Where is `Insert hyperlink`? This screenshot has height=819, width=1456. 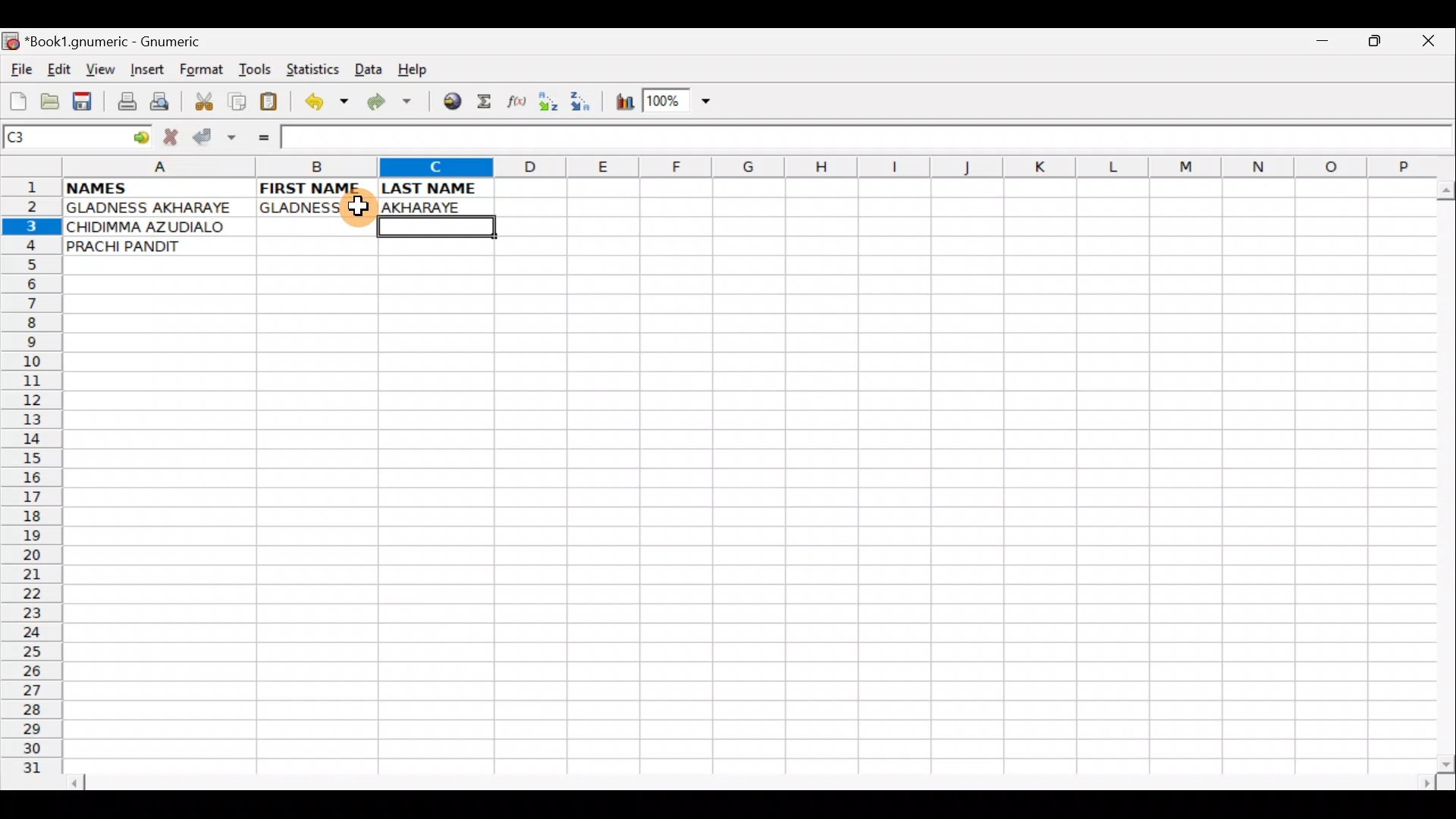 Insert hyperlink is located at coordinates (450, 102).